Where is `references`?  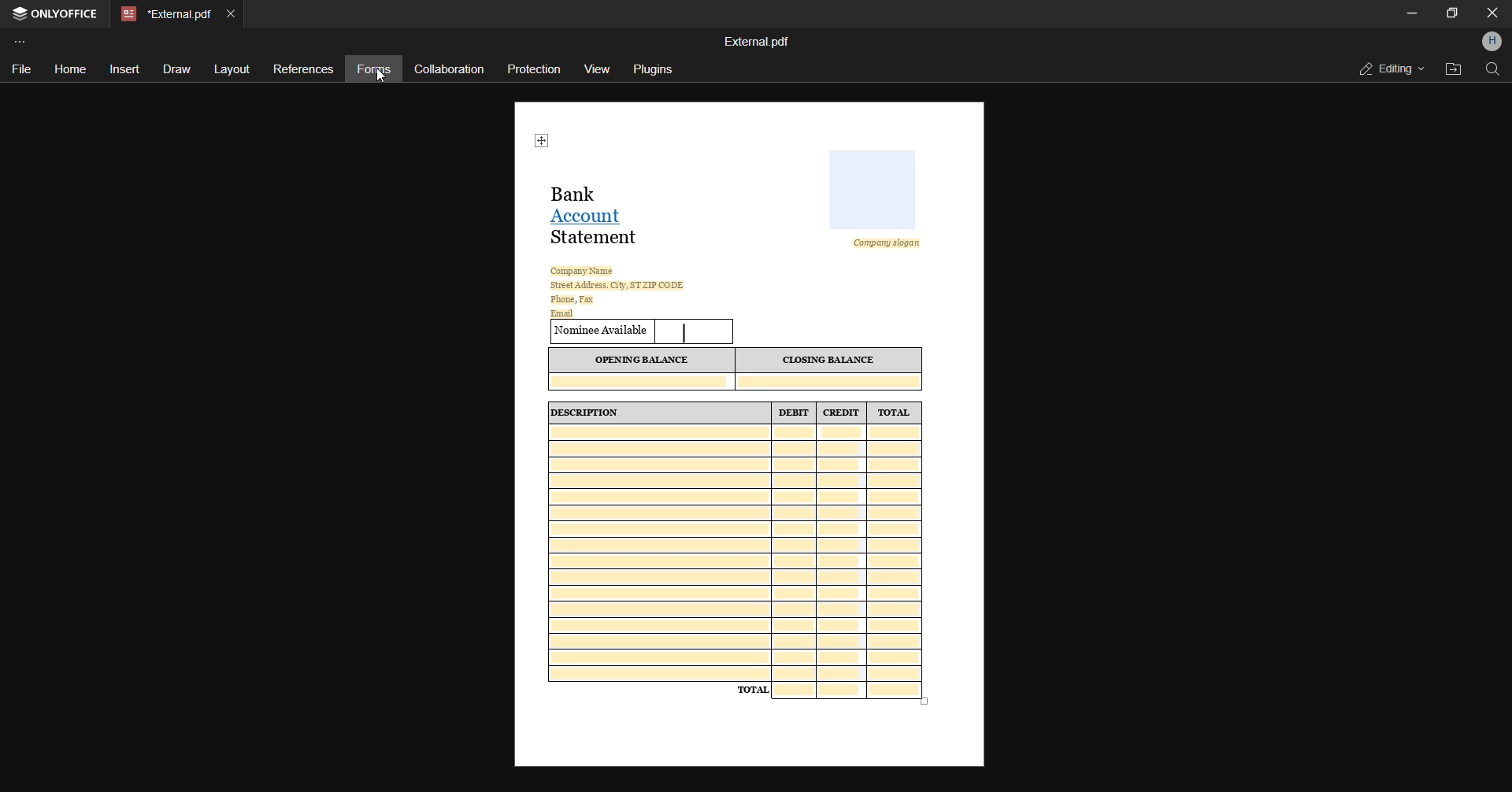 references is located at coordinates (305, 68).